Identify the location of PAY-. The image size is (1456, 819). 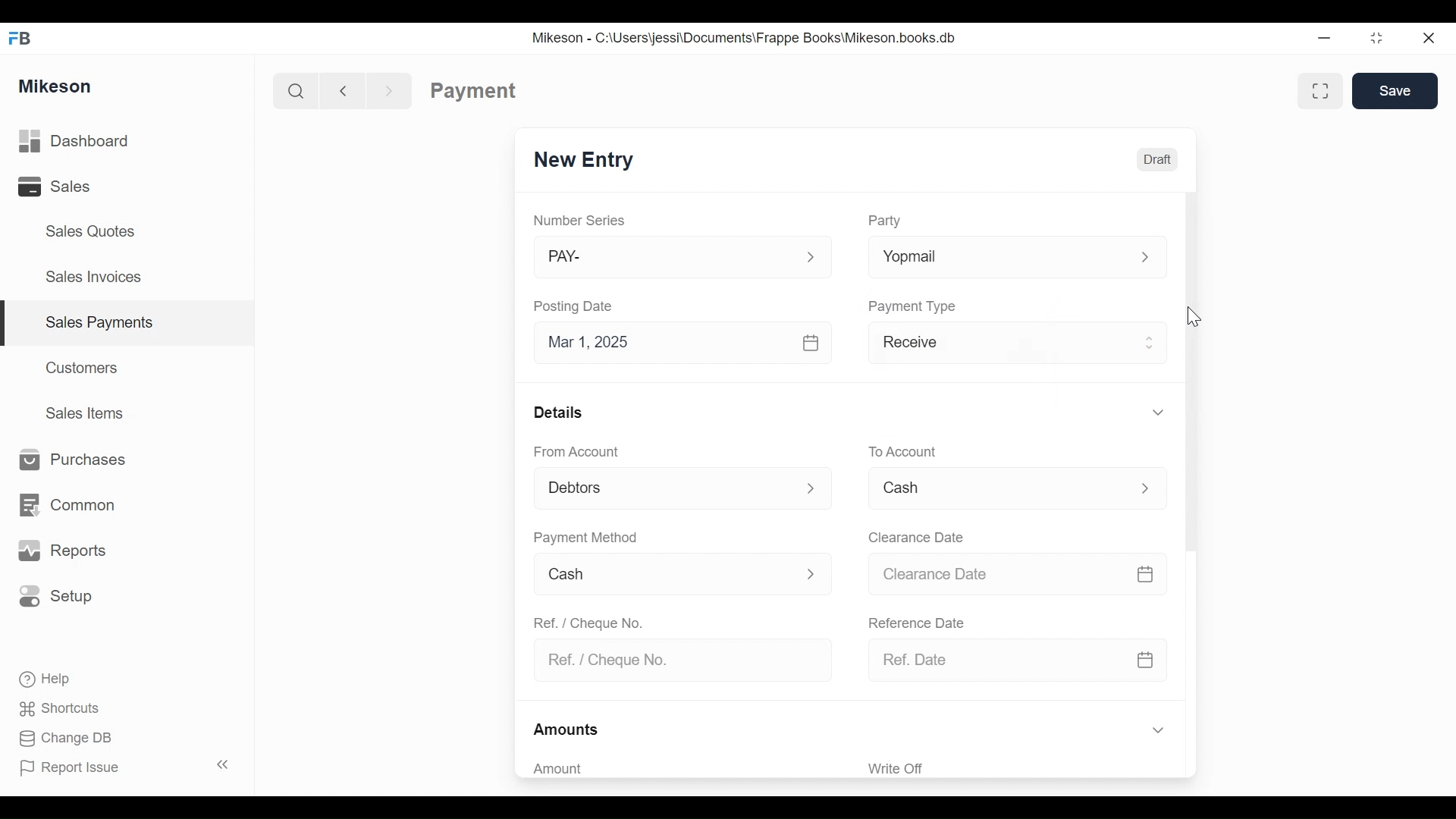
(682, 256).